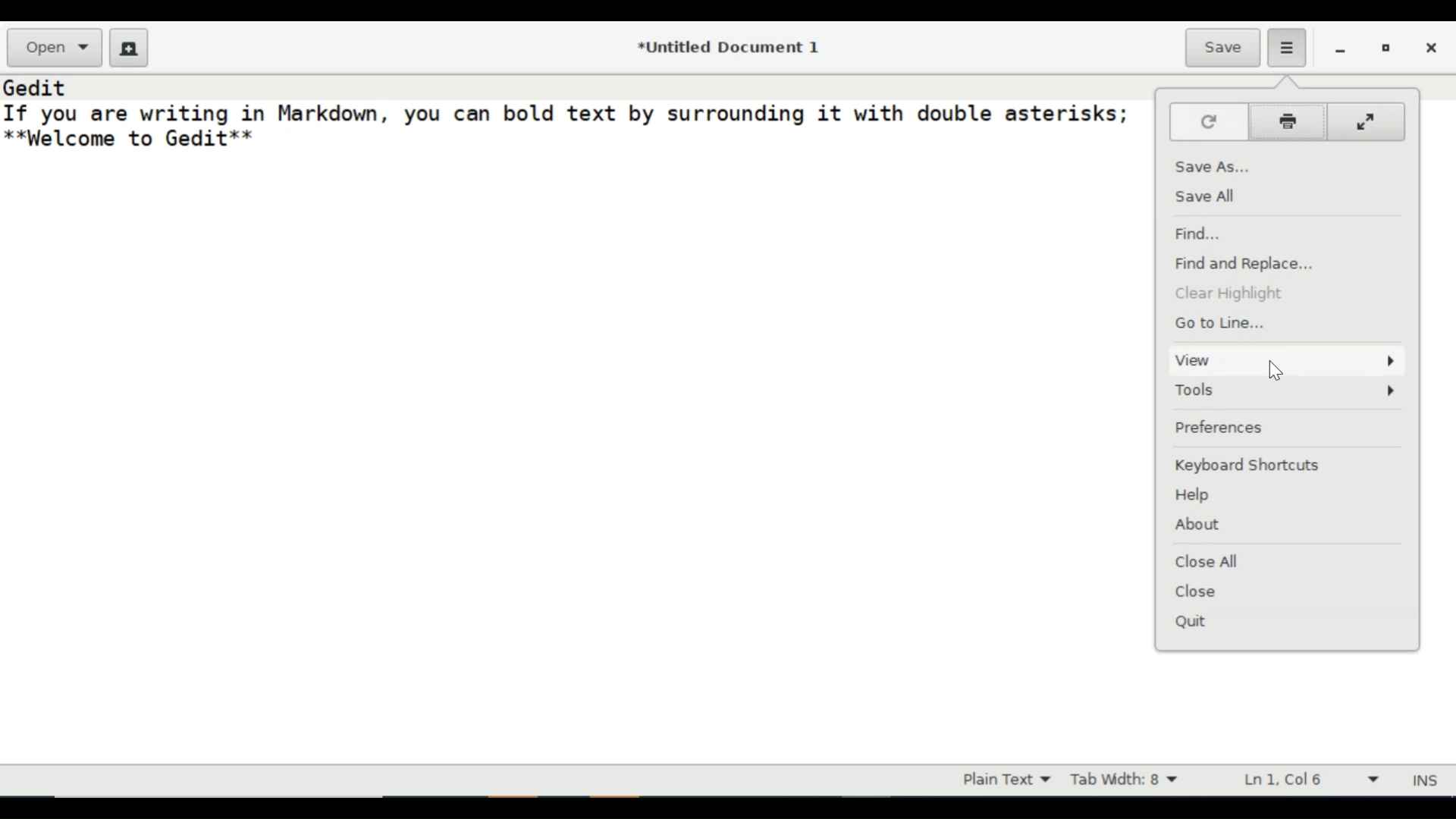  What do you see at coordinates (130, 139) in the screenshot?
I see `**Welcome to Gedit**` at bounding box center [130, 139].